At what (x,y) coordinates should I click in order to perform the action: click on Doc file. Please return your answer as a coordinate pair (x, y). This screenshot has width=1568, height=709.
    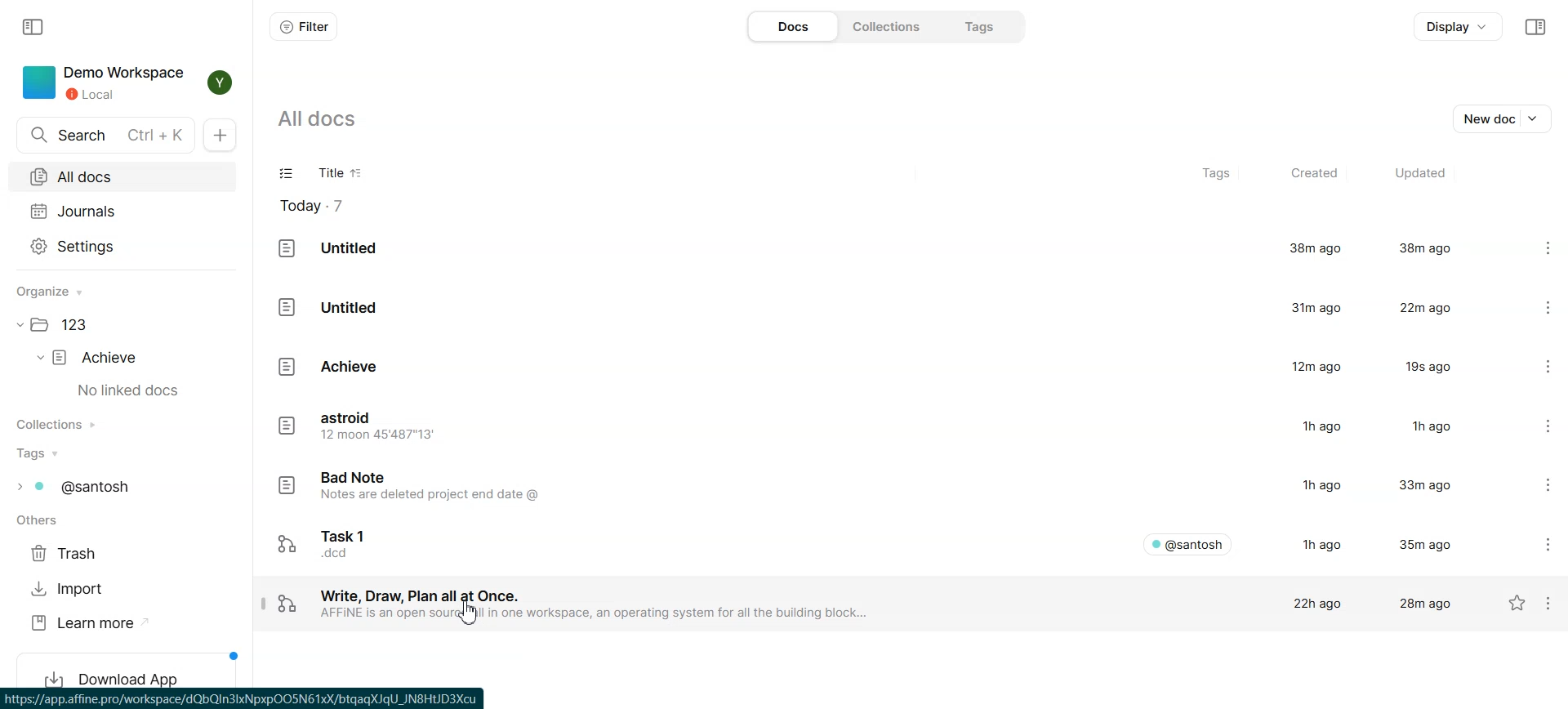
    Looking at the image, I should click on (877, 427).